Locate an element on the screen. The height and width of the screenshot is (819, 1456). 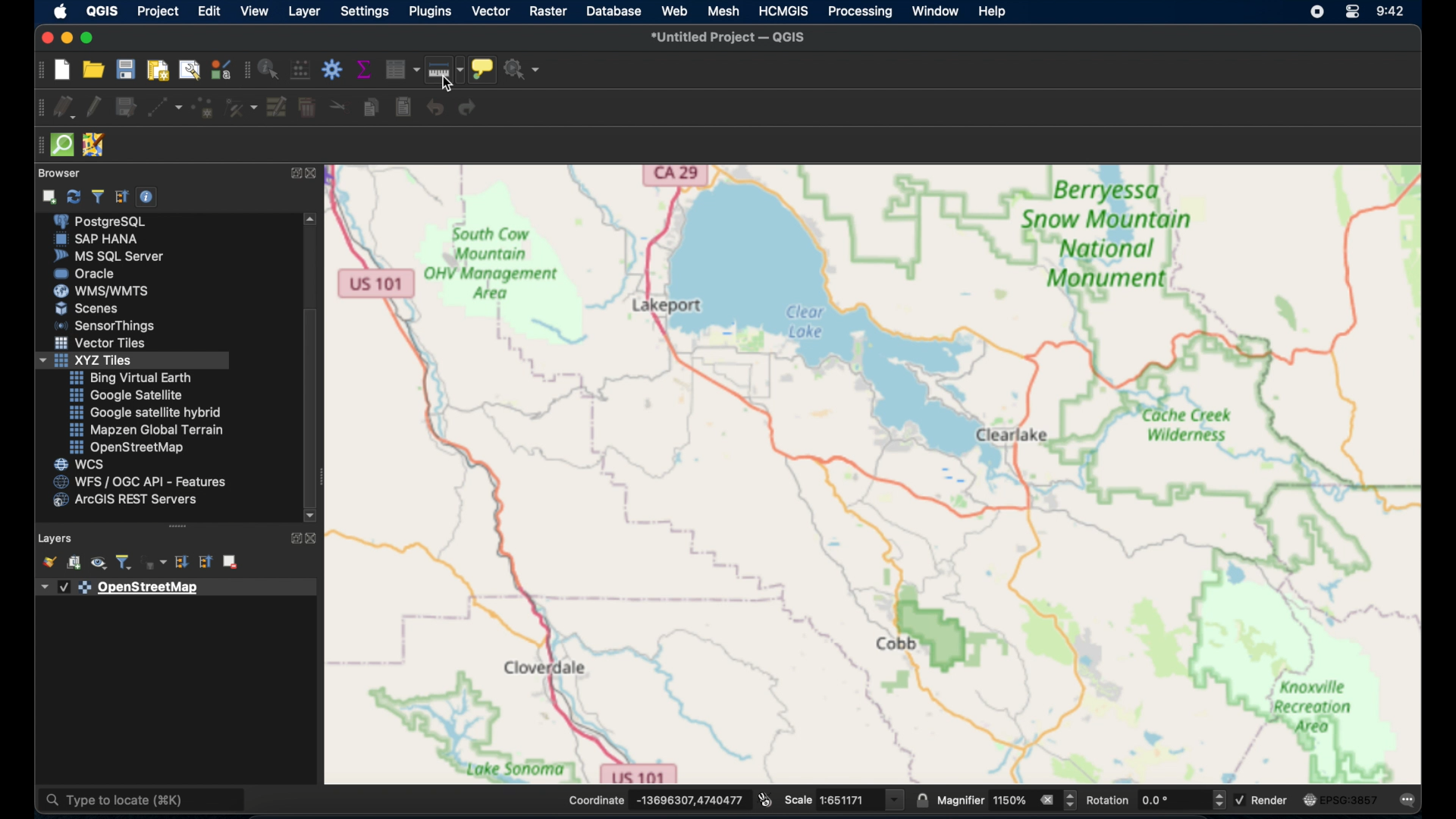
render is located at coordinates (1266, 802).